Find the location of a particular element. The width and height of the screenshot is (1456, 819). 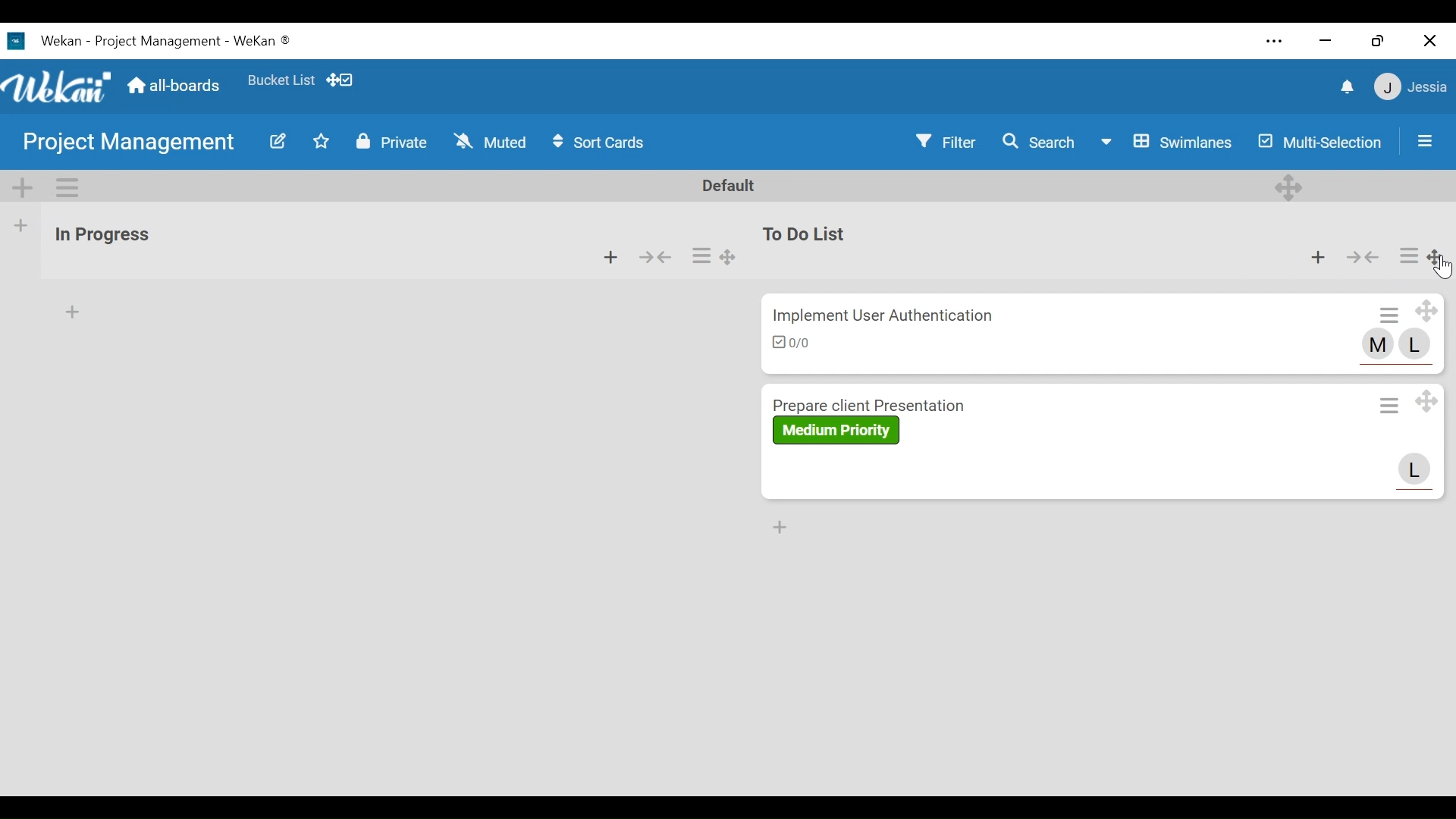

Private is located at coordinates (394, 143).